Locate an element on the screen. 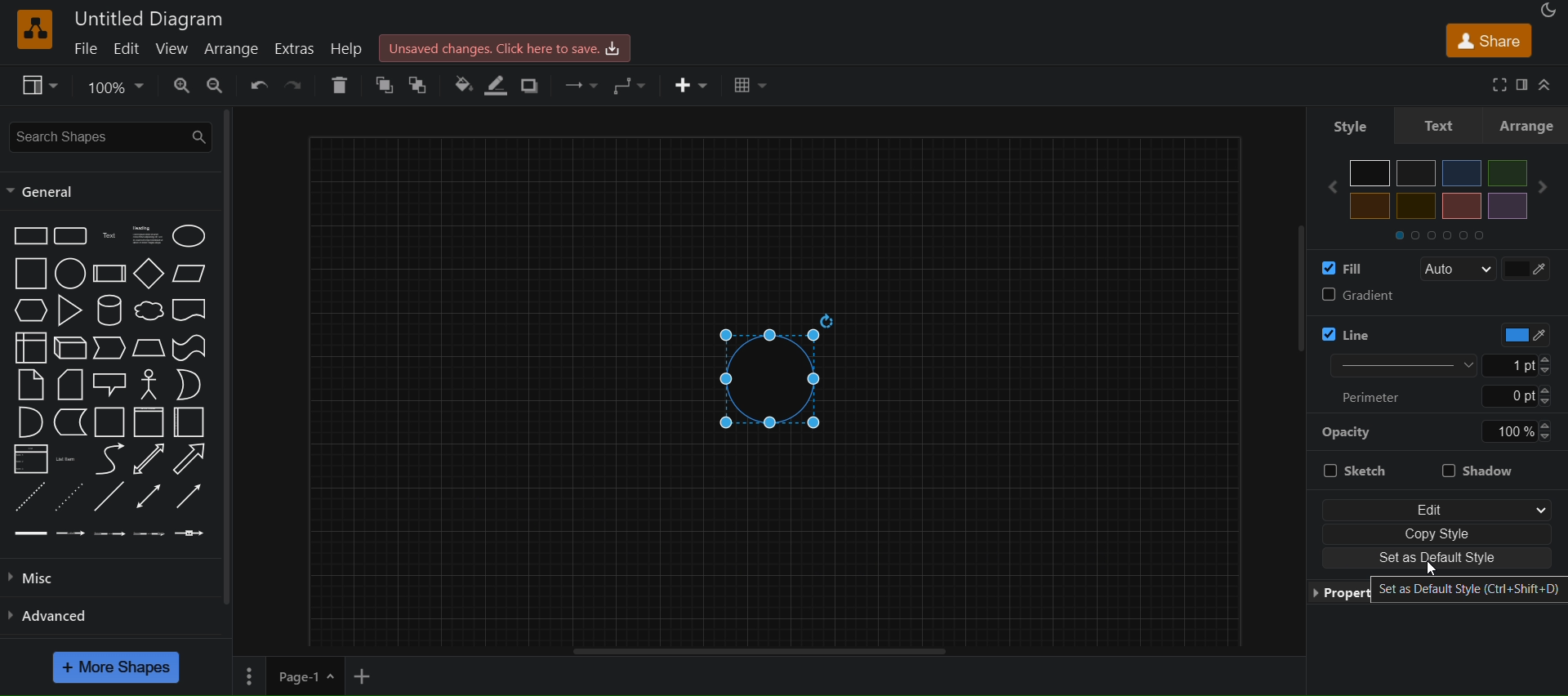  fill color is located at coordinates (461, 83).